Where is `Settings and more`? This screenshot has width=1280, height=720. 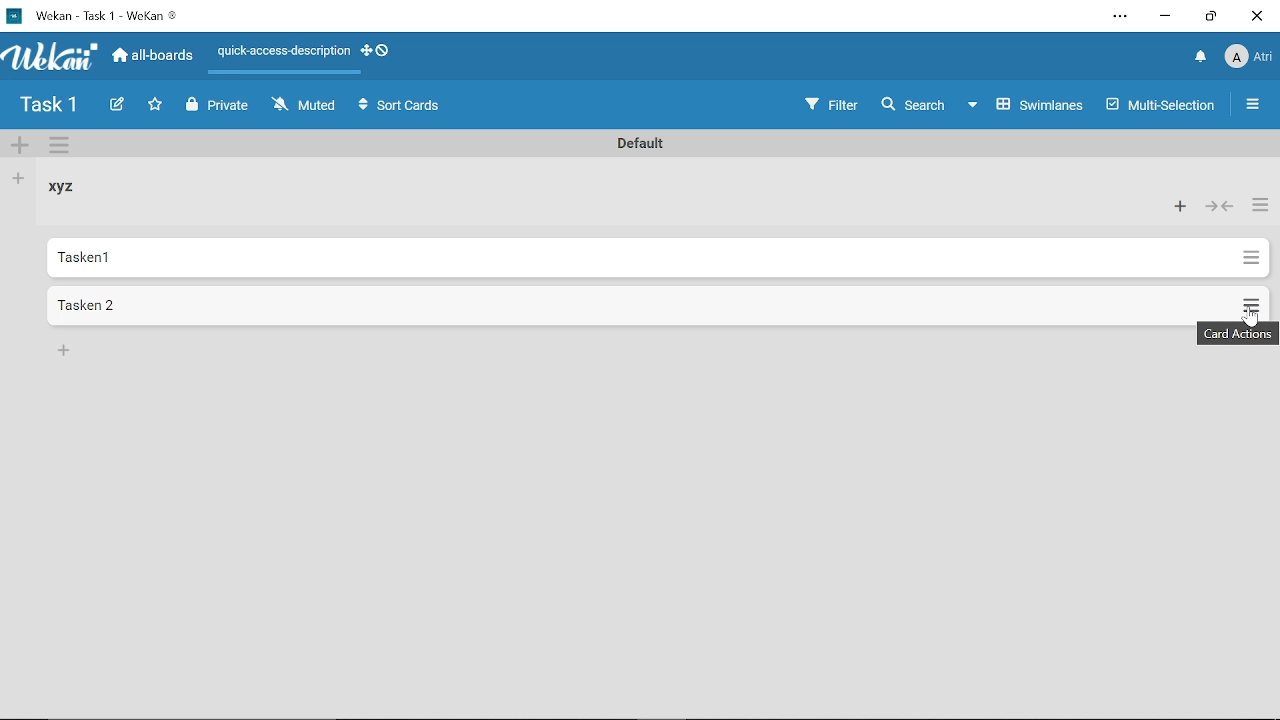 Settings and more is located at coordinates (1116, 17).